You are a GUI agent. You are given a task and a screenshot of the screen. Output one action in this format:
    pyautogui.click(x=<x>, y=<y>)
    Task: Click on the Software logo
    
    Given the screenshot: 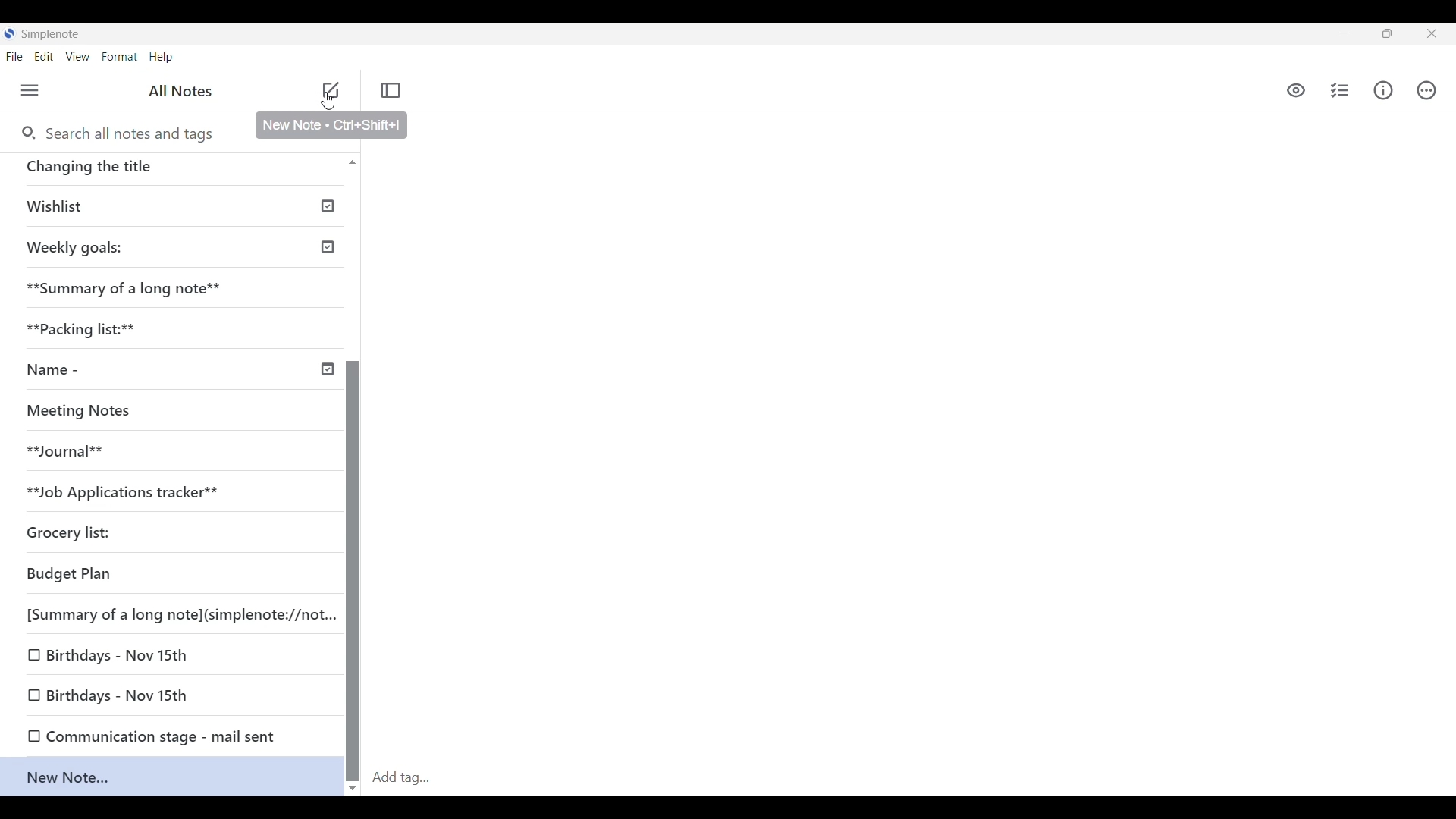 What is the action you would take?
    pyautogui.click(x=9, y=33)
    